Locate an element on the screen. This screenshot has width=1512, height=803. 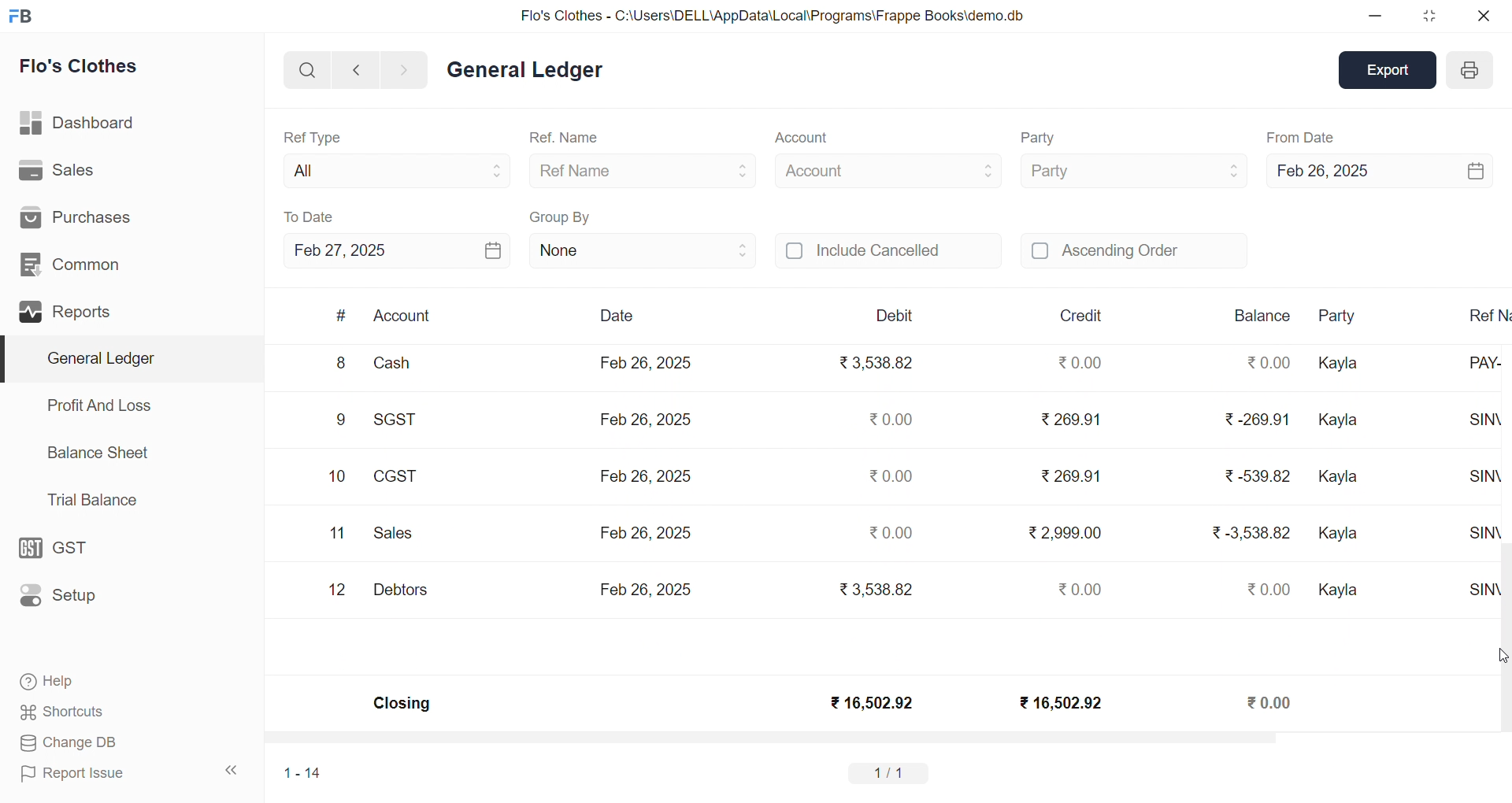
Dashboard is located at coordinates (75, 120).